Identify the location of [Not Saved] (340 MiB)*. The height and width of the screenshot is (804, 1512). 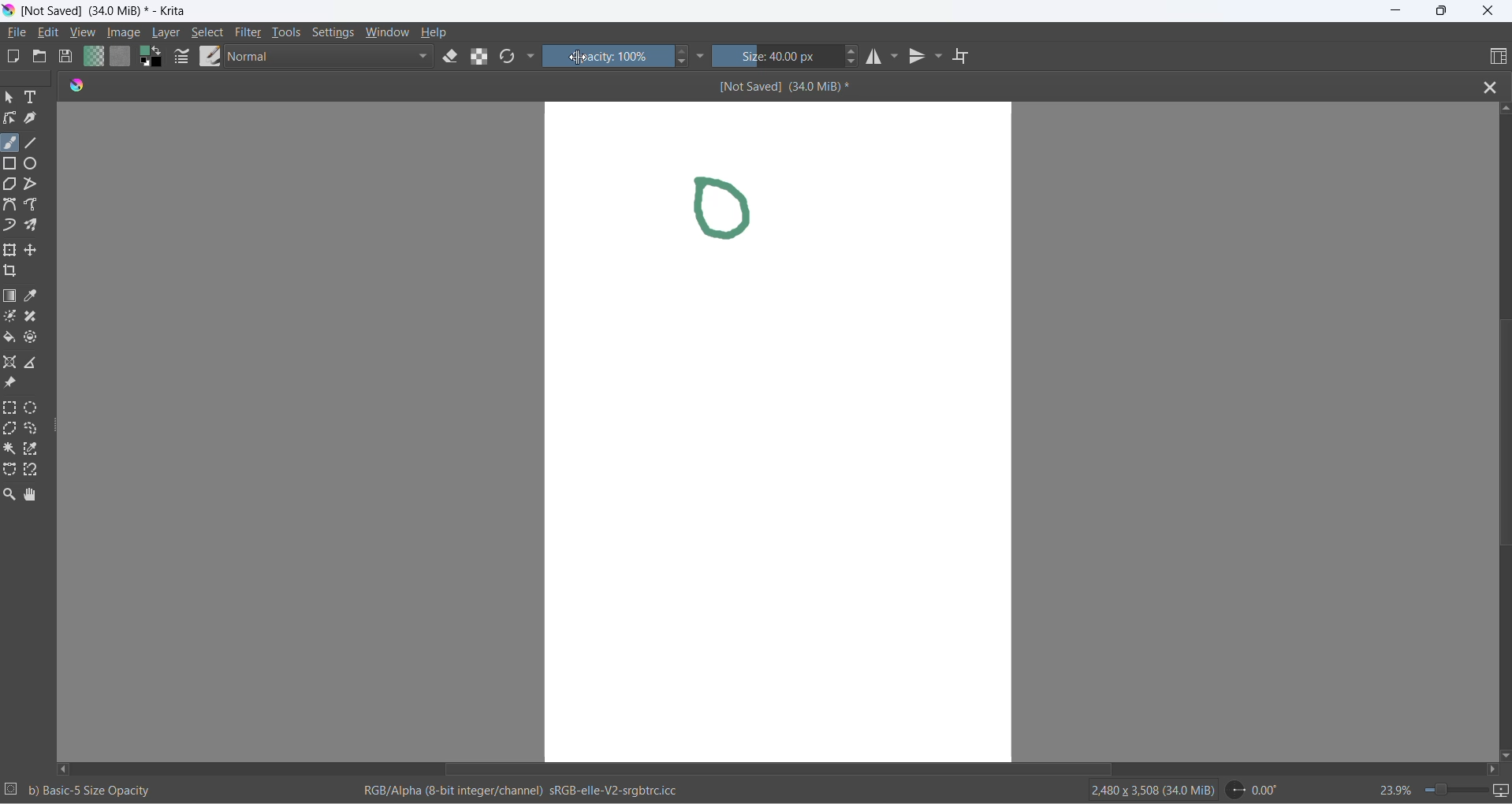
(786, 86).